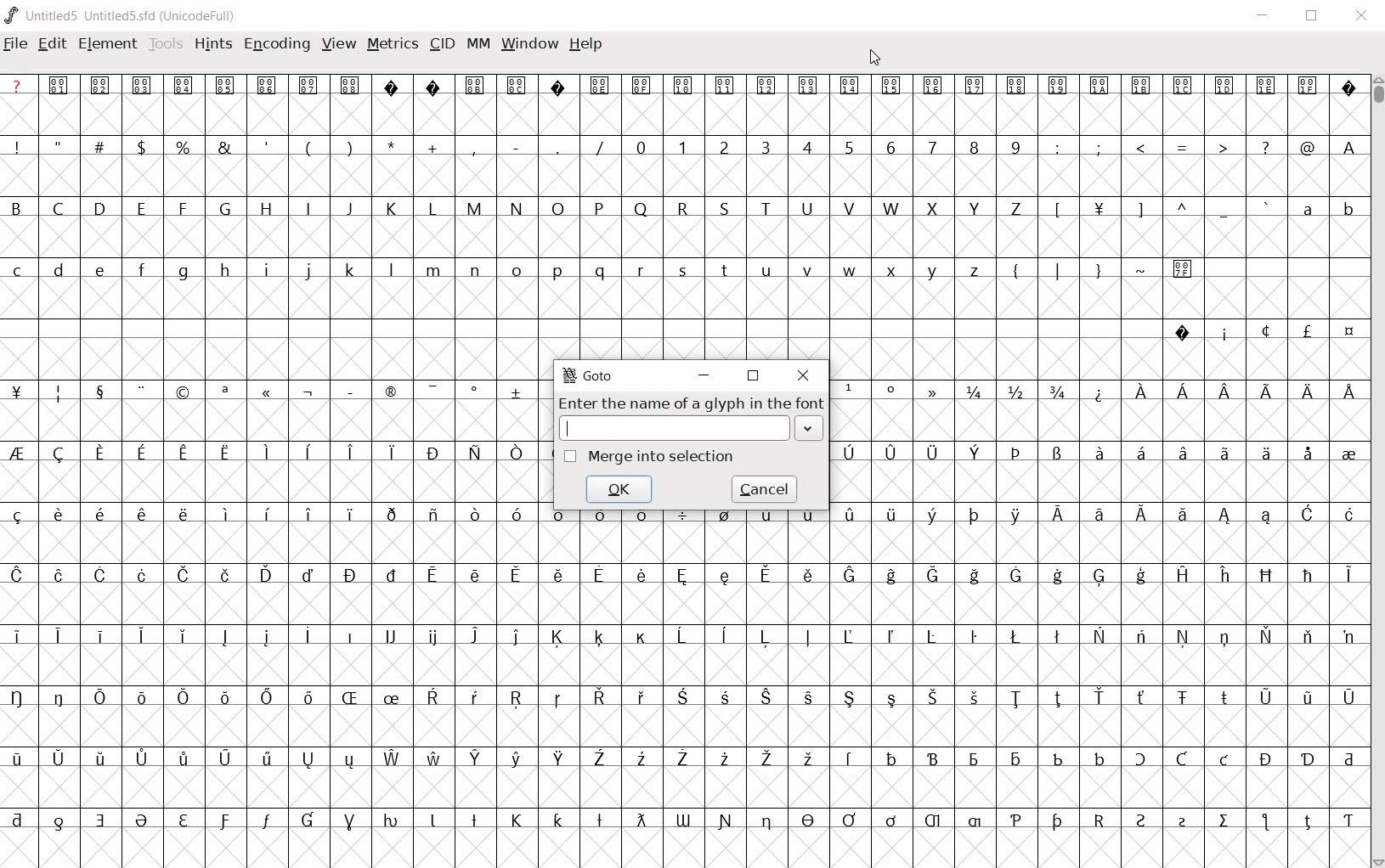 The height and width of the screenshot is (868, 1385). What do you see at coordinates (1347, 332) in the screenshot?
I see `Symbol` at bounding box center [1347, 332].